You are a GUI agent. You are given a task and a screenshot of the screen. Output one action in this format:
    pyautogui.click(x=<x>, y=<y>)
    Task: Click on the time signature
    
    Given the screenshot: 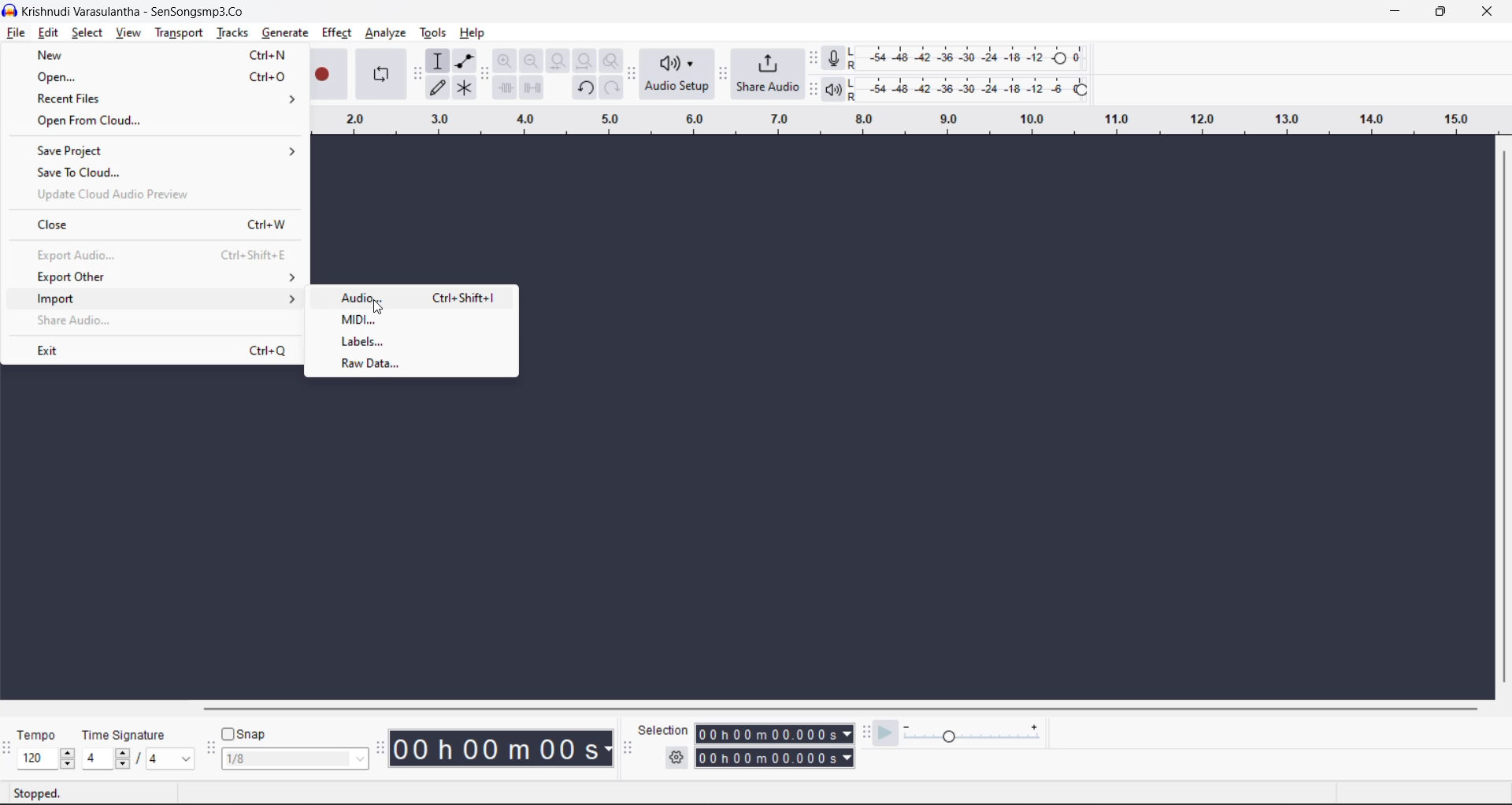 What is the action you would take?
    pyautogui.click(x=129, y=736)
    